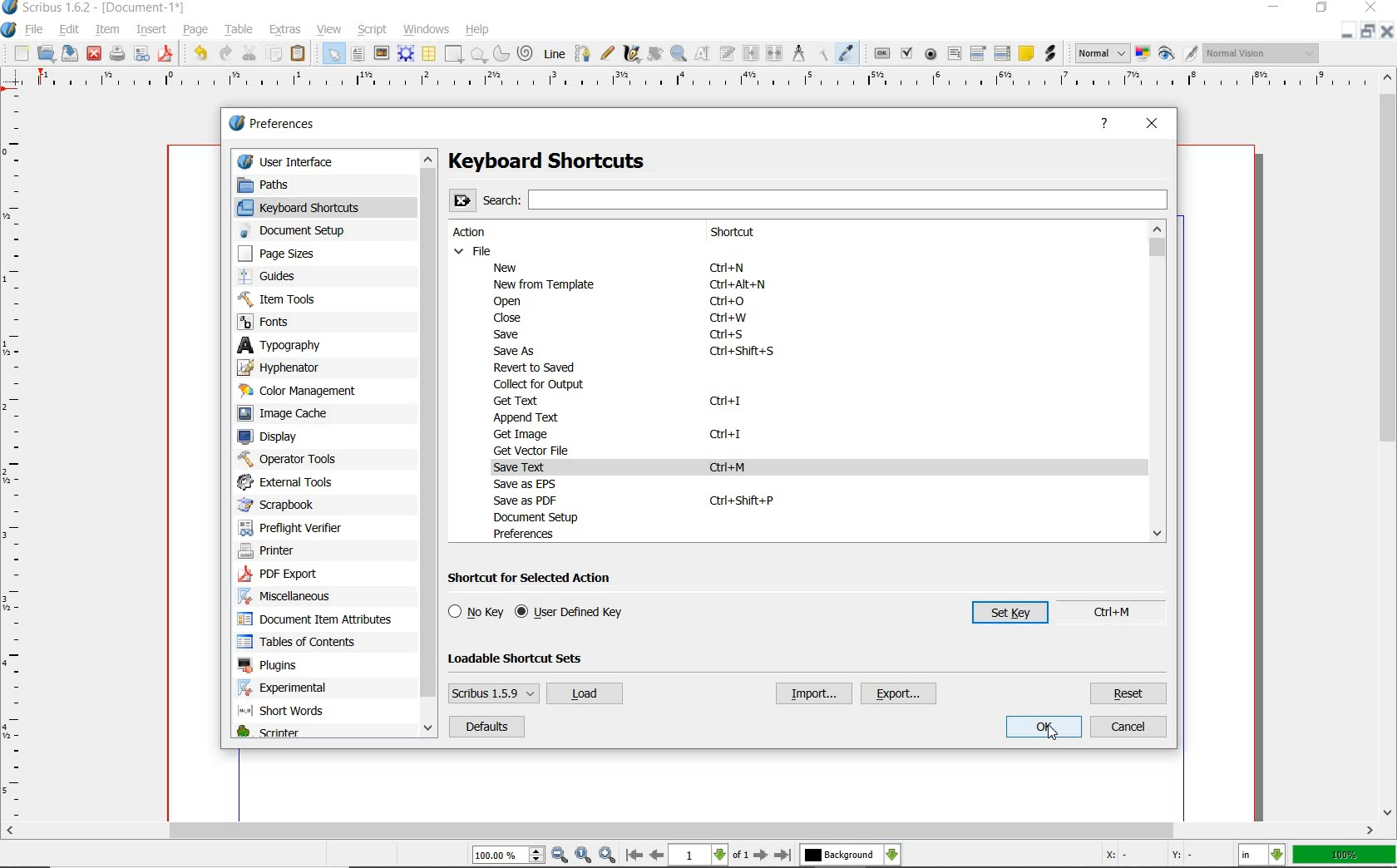 The width and height of the screenshot is (1397, 868). What do you see at coordinates (728, 319) in the screenshot?
I see `Ctrl + W` at bounding box center [728, 319].